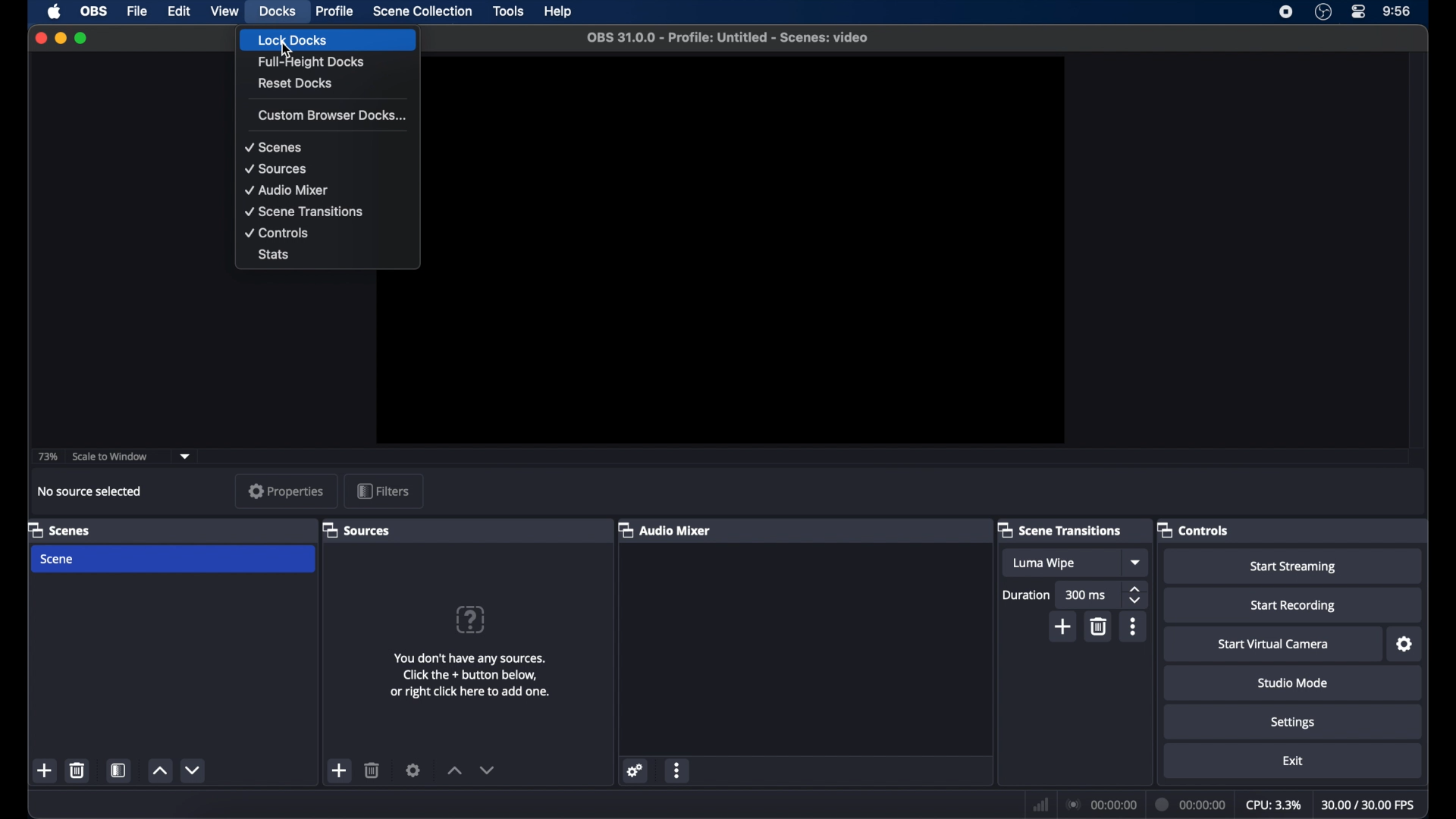  Describe the element at coordinates (335, 11) in the screenshot. I see `profile` at that location.